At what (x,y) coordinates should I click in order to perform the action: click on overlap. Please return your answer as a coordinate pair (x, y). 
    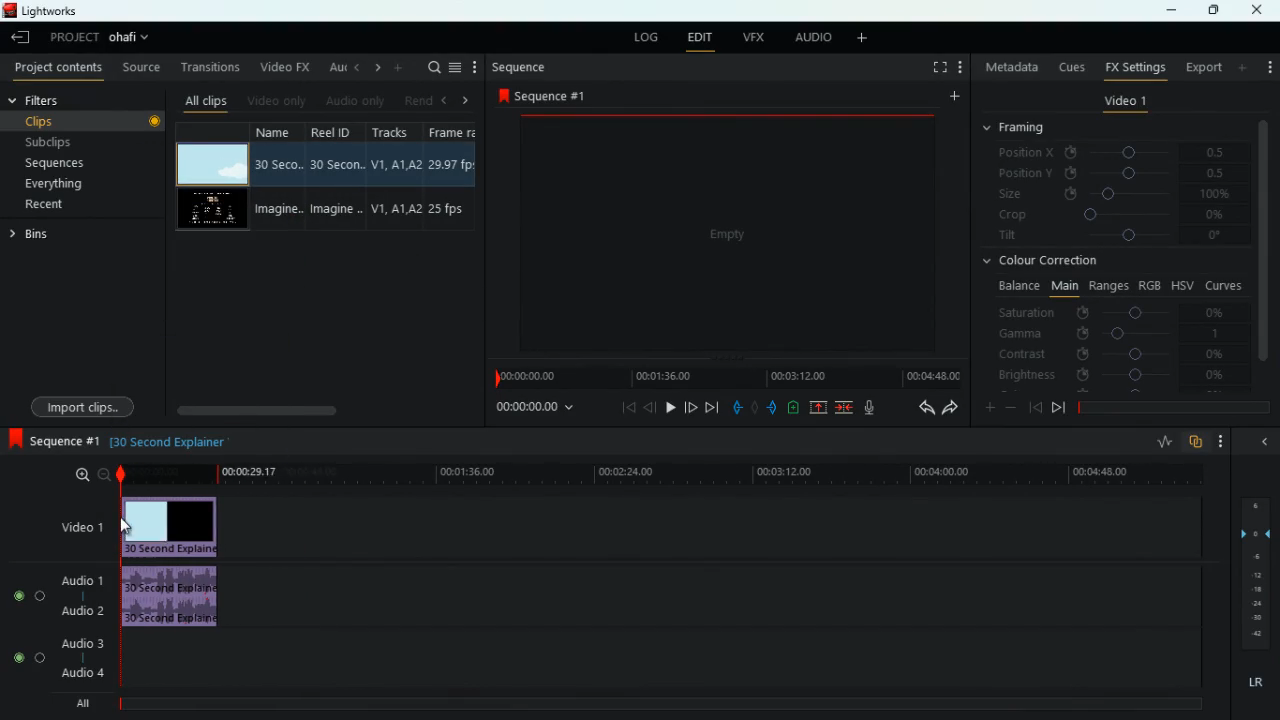
    Looking at the image, I should click on (1196, 443).